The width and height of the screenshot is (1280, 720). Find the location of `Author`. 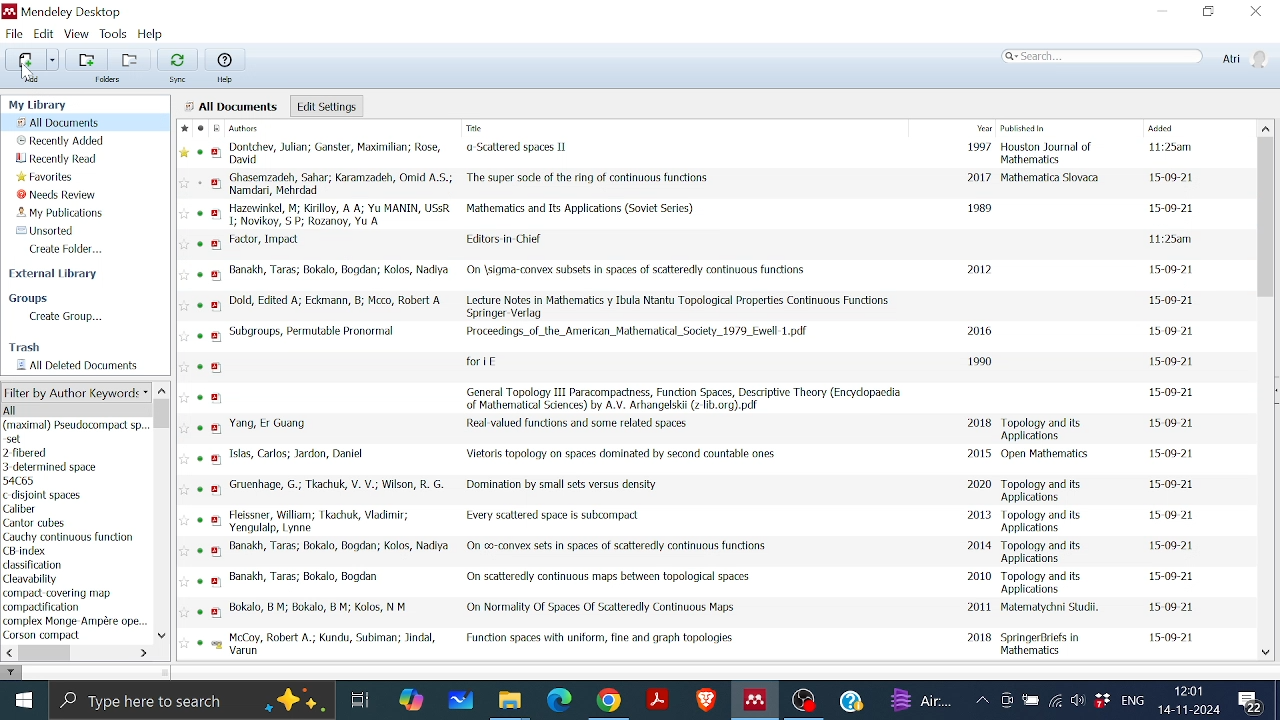

Author is located at coordinates (275, 240).